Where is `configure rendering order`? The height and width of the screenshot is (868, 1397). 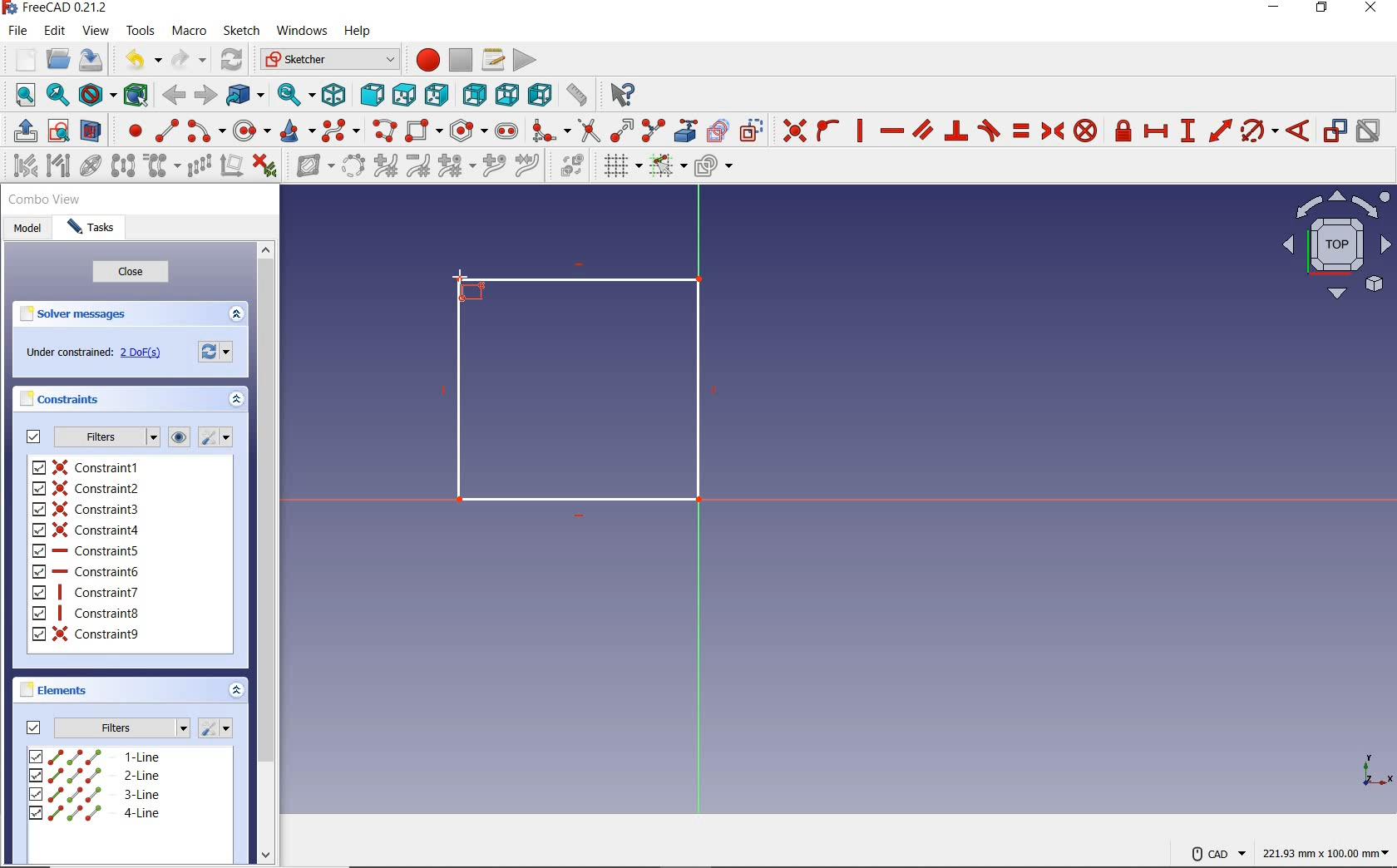
configure rendering order is located at coordinates (713, 165).